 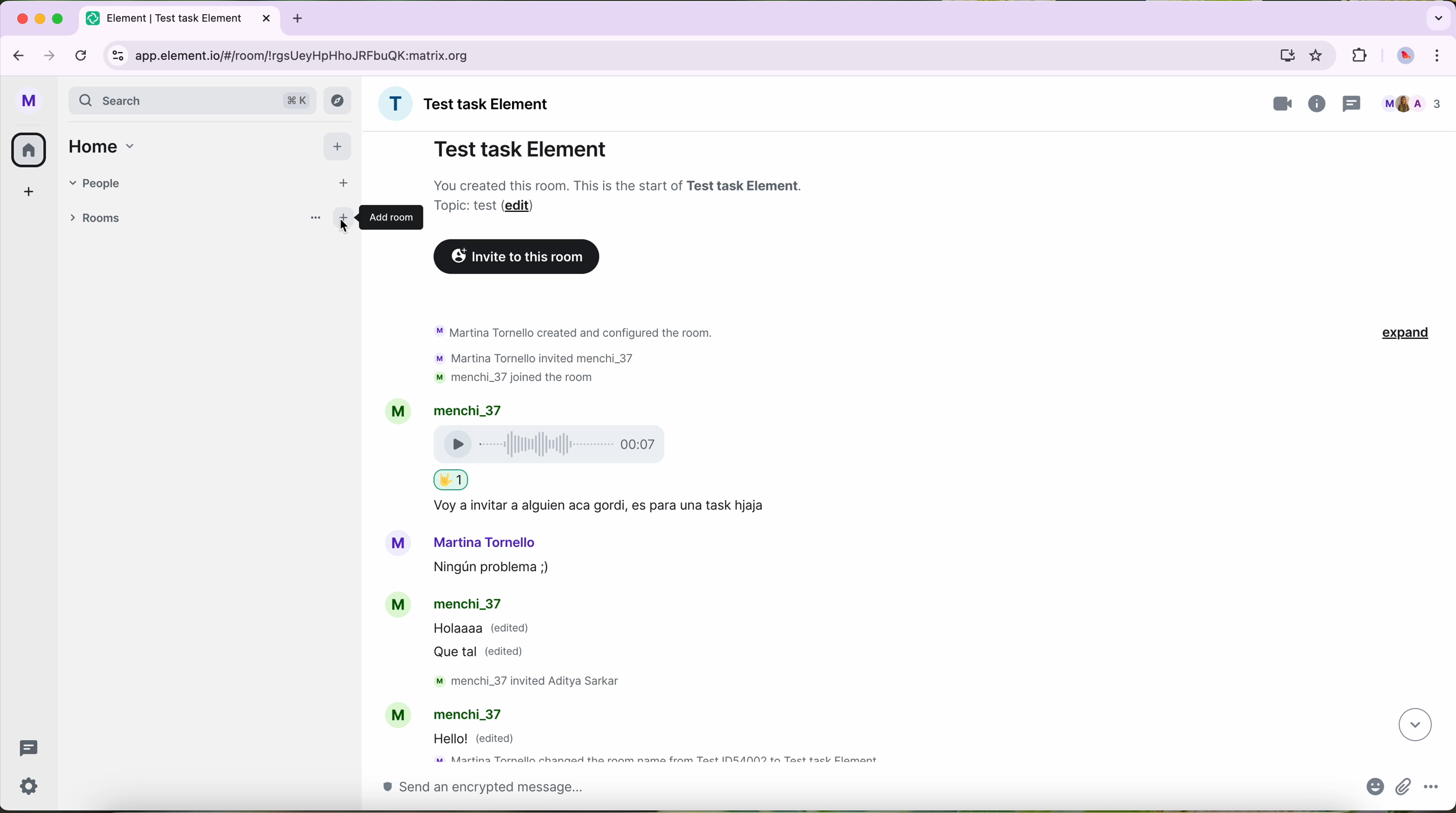 What do you see at coordinates (302, 18) in the screenshot?
I see `new tabb` at bounding box center [302, 18].